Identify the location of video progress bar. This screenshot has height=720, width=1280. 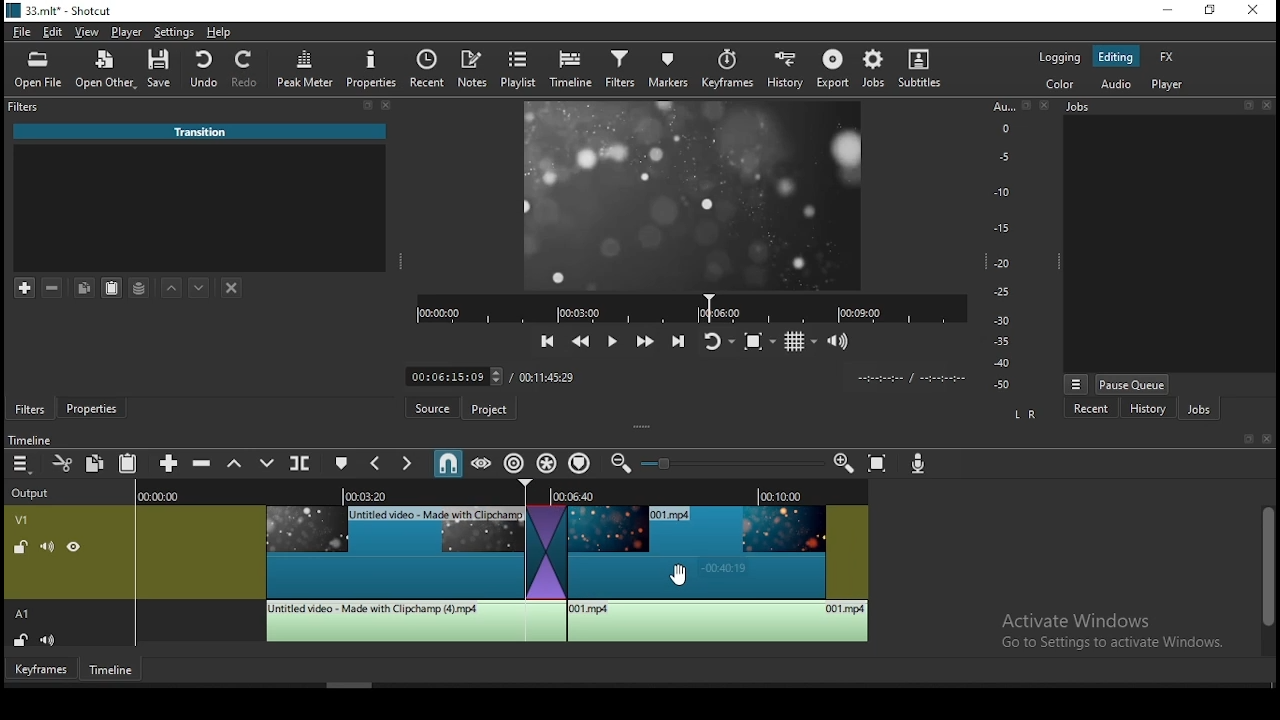
(691, 307).